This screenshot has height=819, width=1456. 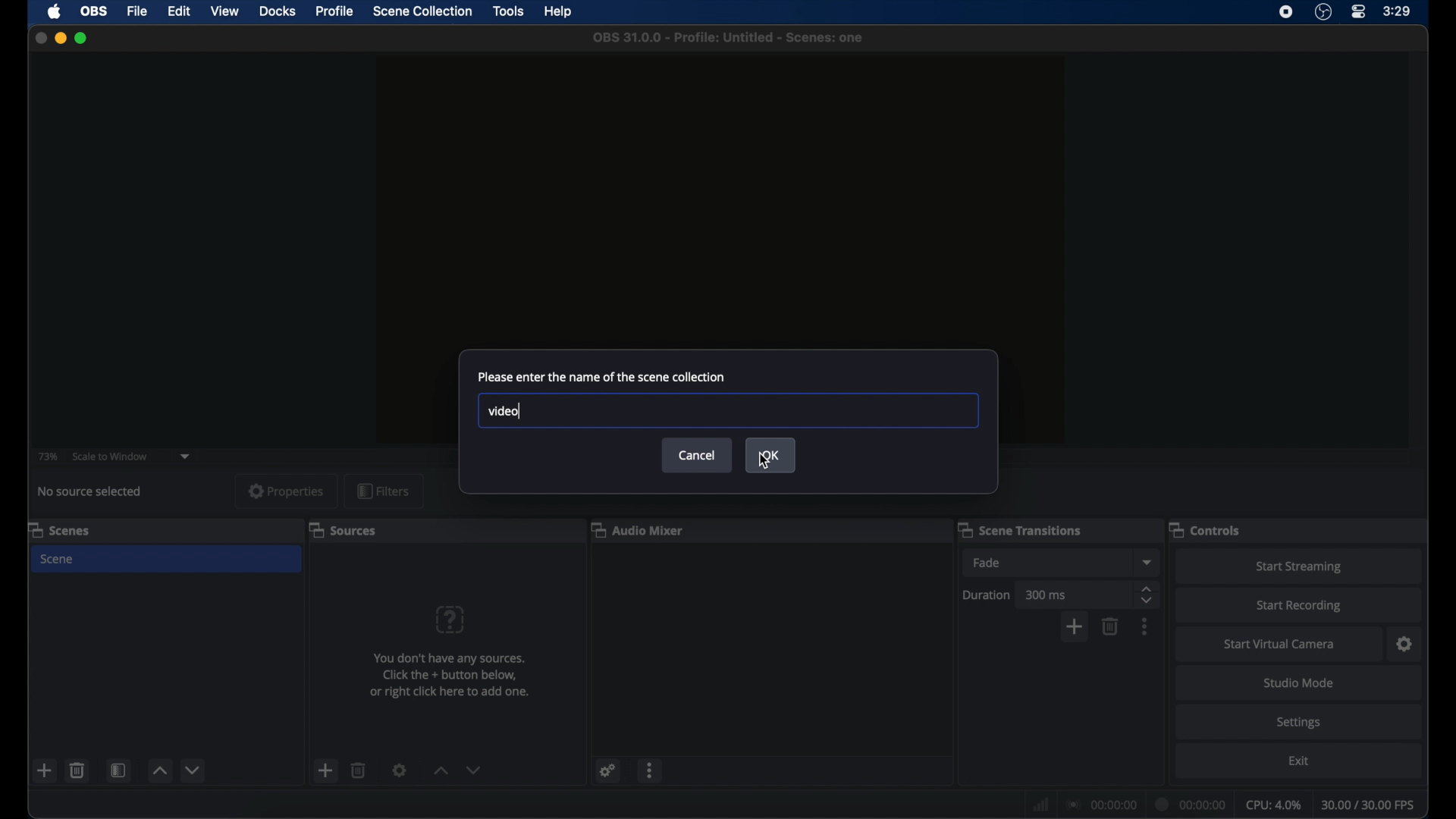 What do you see at coordinates (1074, 628) in the screenshot?
I see `add` at bounding box center [1074, 628].